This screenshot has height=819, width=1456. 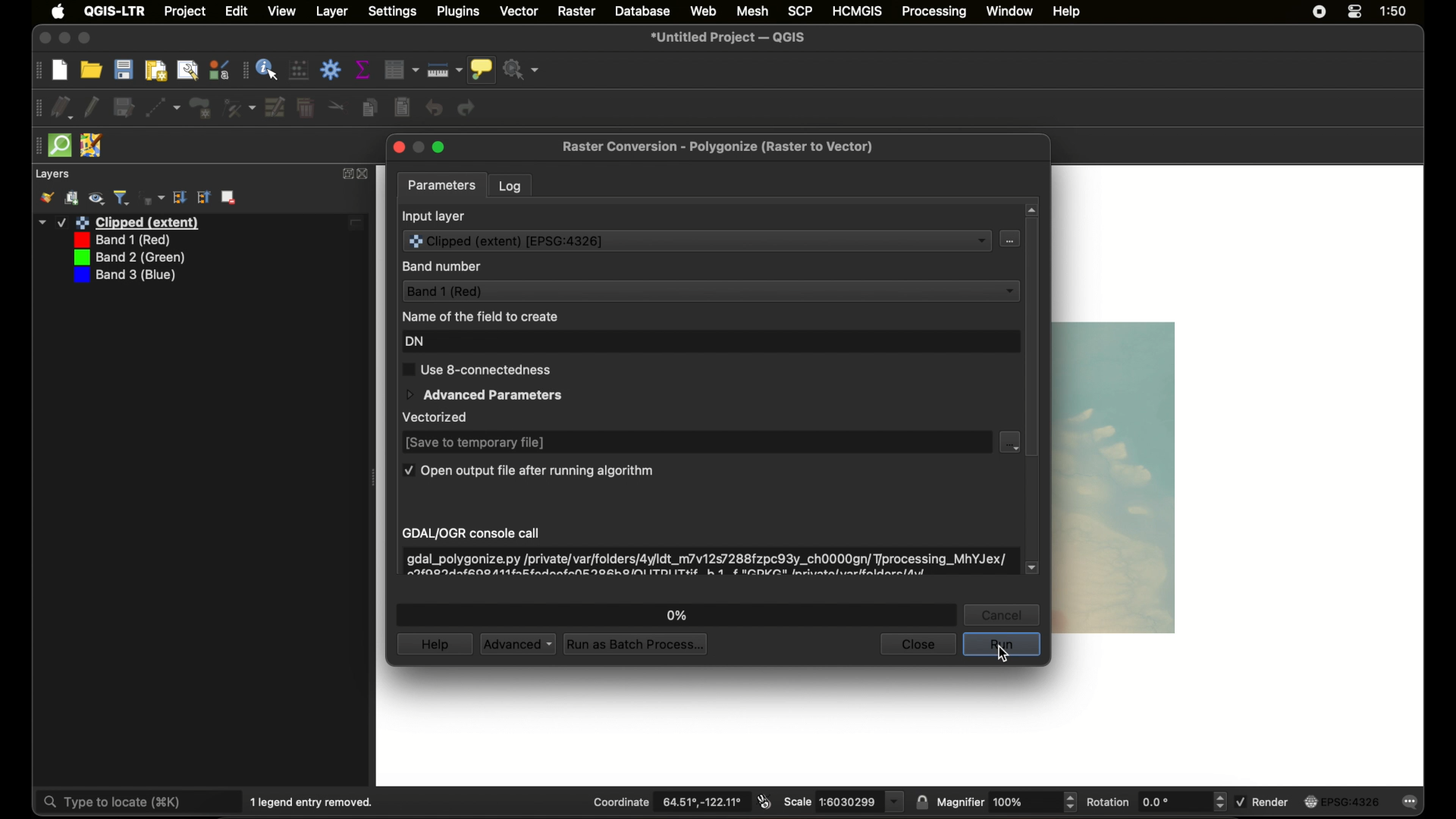 I want to click on name of the field to create, so click(x=479, y=316).